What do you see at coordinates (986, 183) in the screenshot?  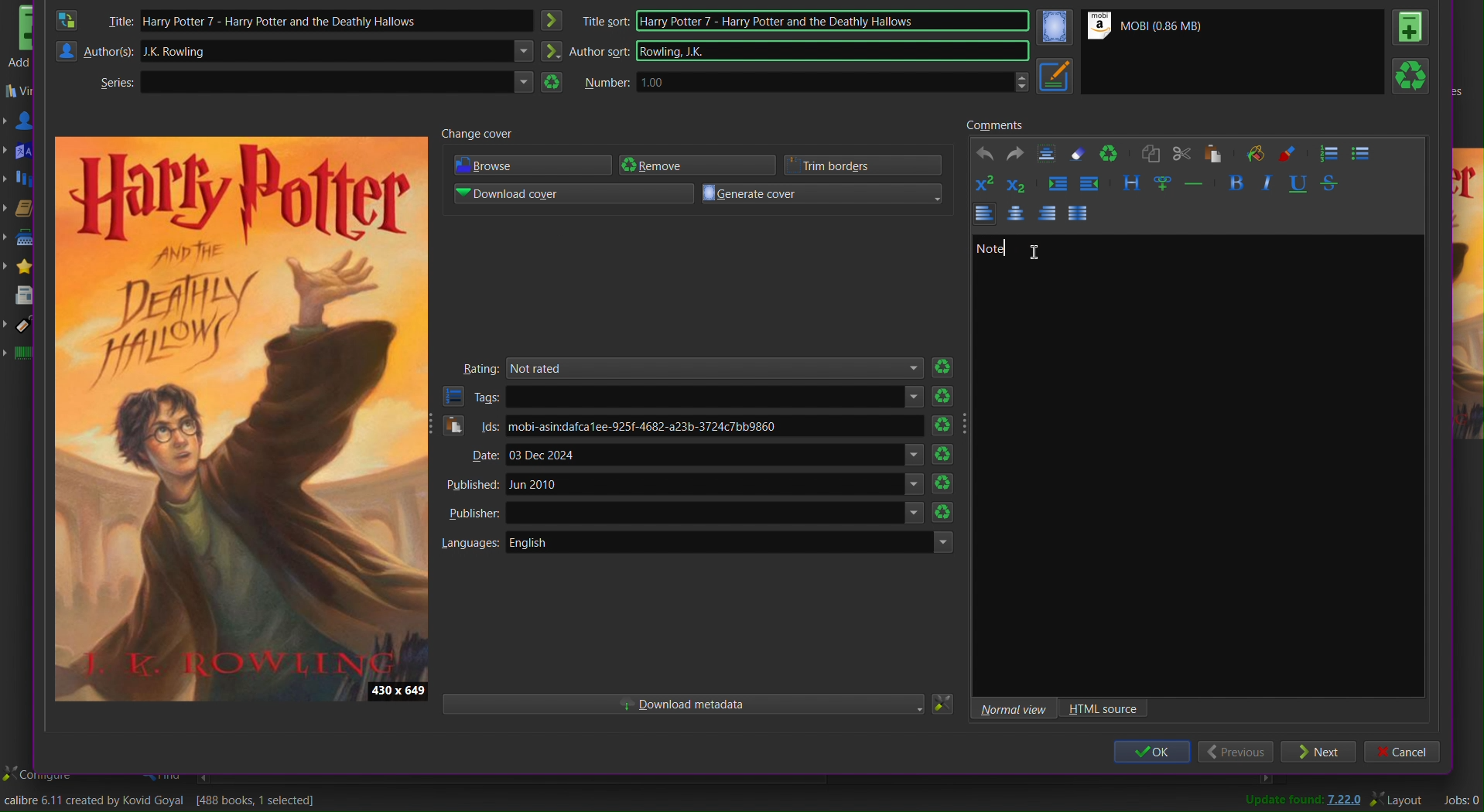 I see `Superscript` at bounding box center [986, 183].